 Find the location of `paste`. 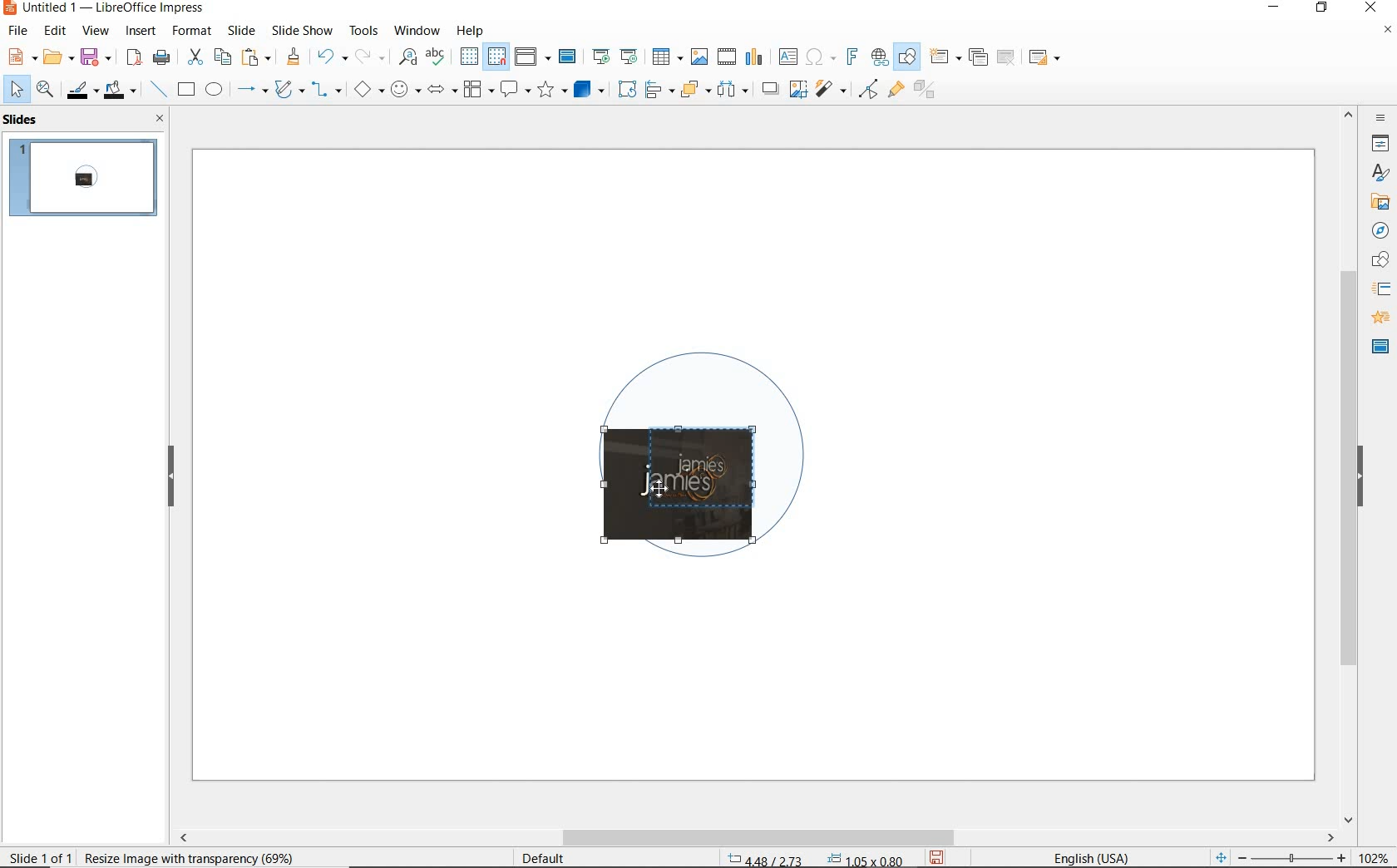

paste is located at coordinates (257, 57).